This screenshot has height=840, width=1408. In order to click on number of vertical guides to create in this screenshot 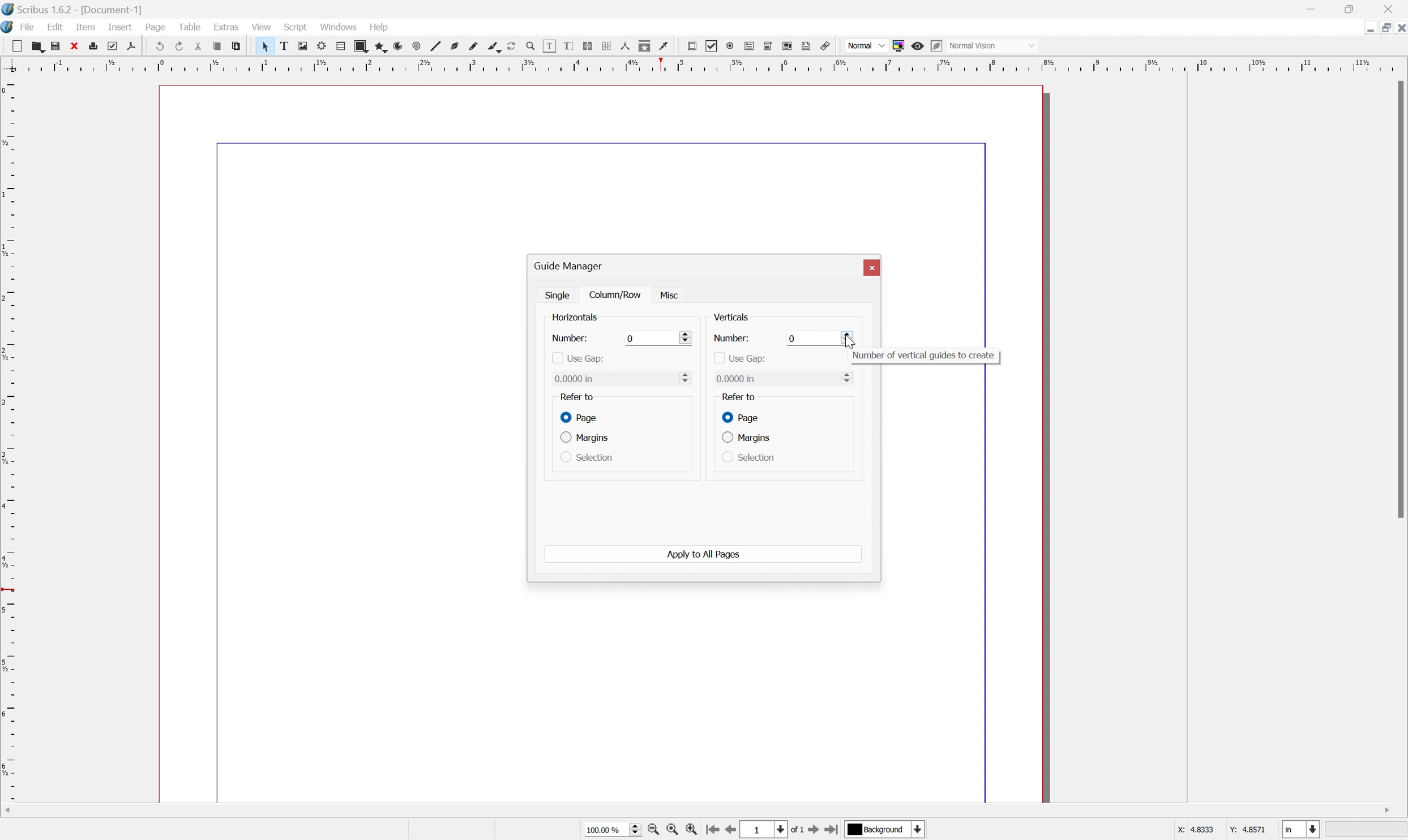, I will do `click(926, 356)`.